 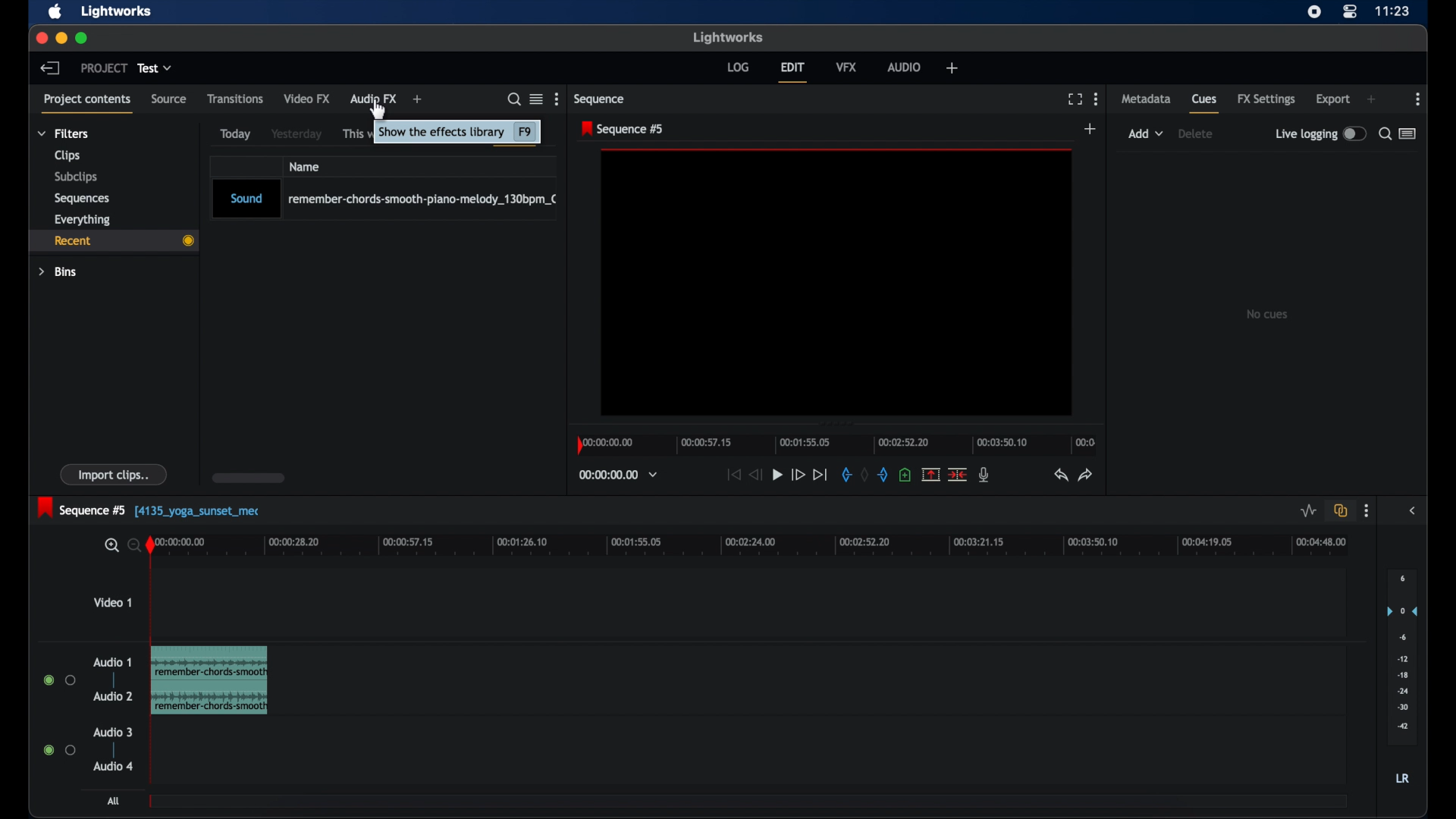 I want to click on scroll box, so click(x=249, y=478).